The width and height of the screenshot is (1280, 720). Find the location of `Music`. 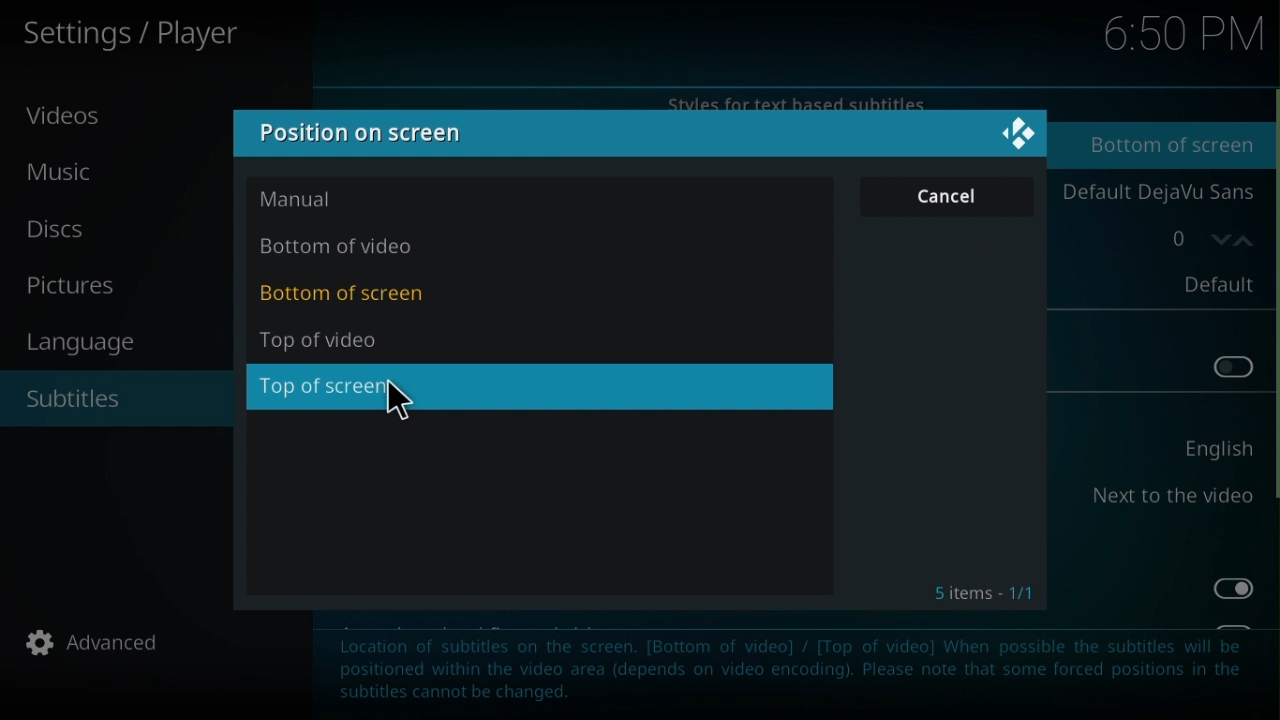

Music is located at coordinates (67, 178).